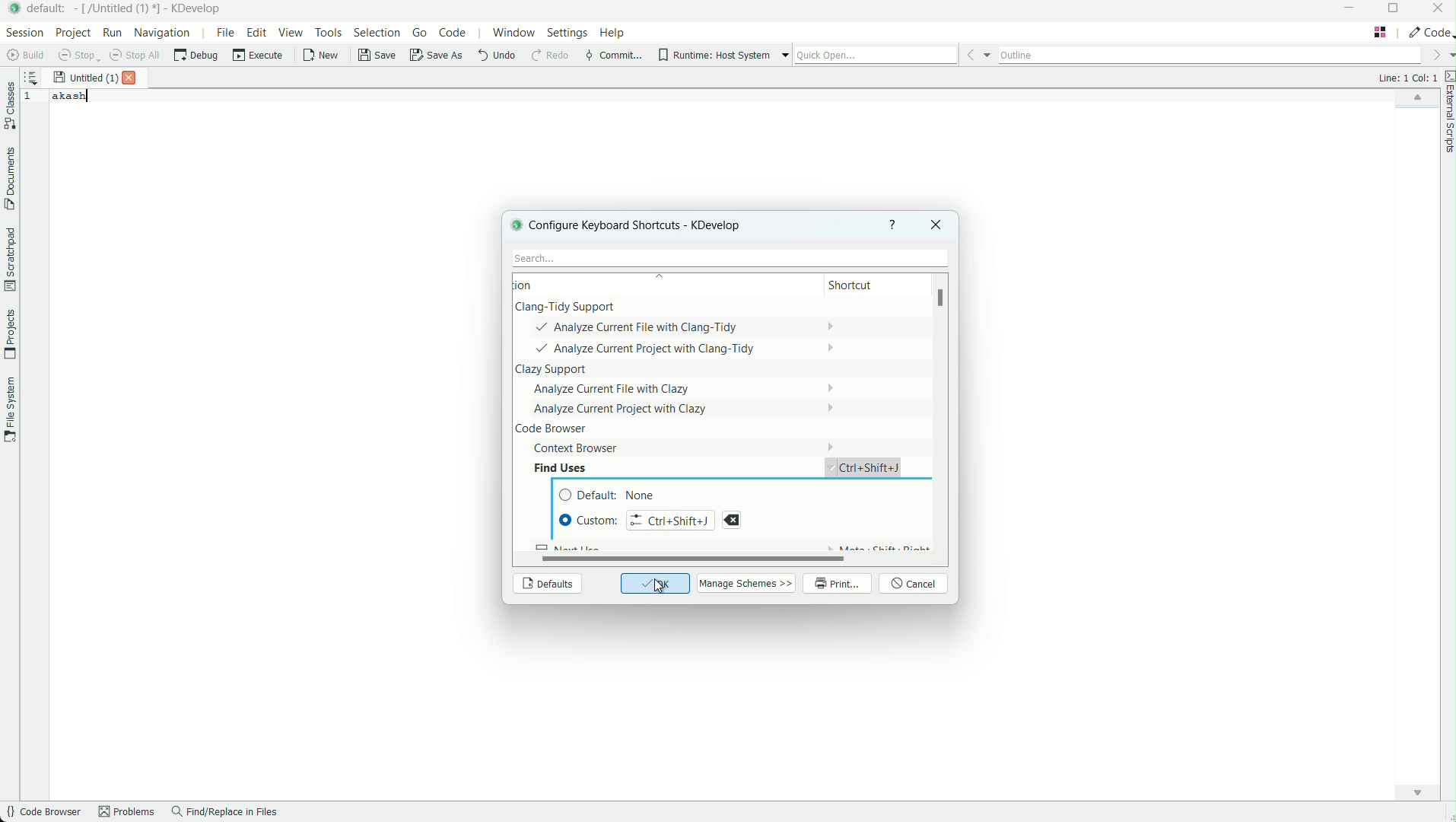 The height and width of the screenshot is (822, 1456). Describe the element at coordinates (567, 35) in the screenshot. I see `settings menu` at that location.